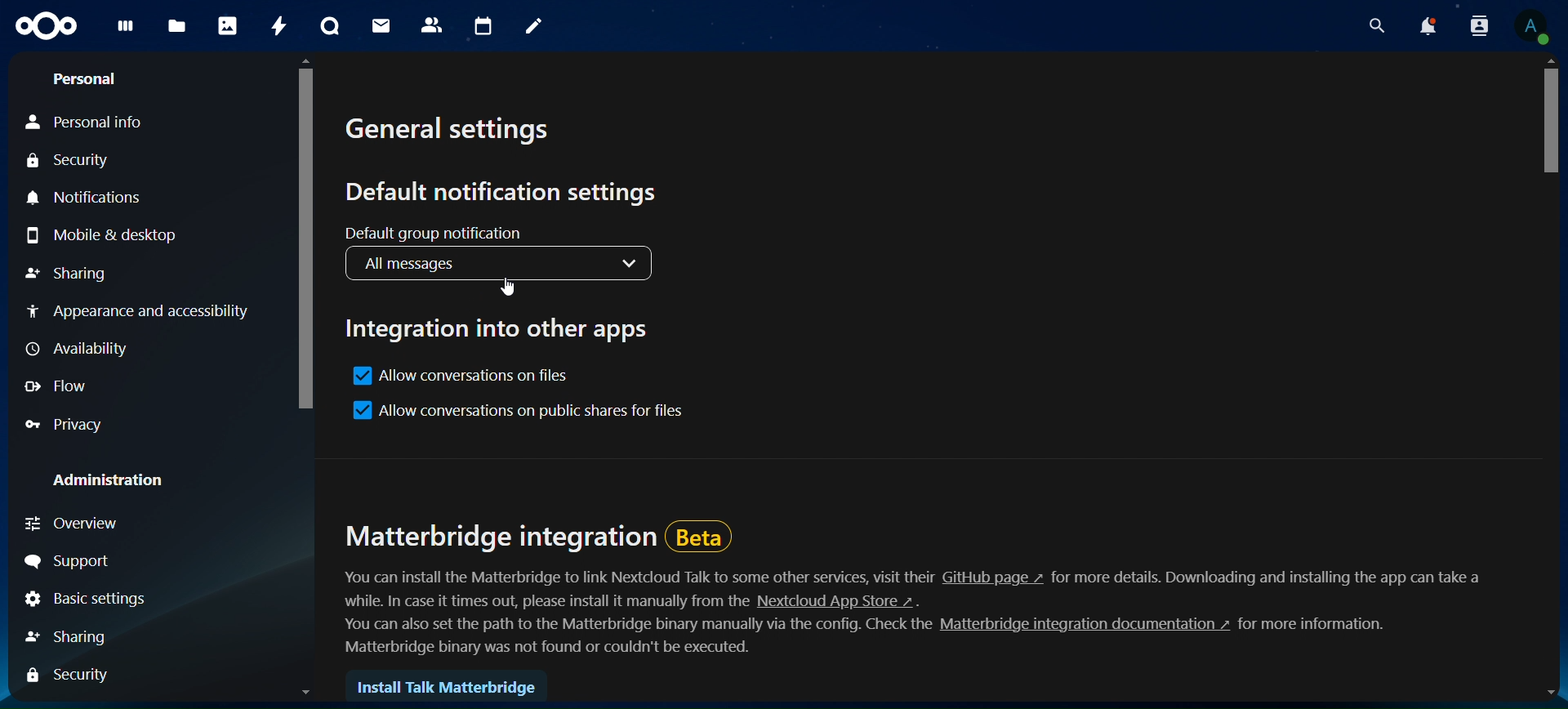 This screenshot has width=1568, height=709. Describe the element at coordinates (532, 600) in the screenshot. I see `text` at that location.